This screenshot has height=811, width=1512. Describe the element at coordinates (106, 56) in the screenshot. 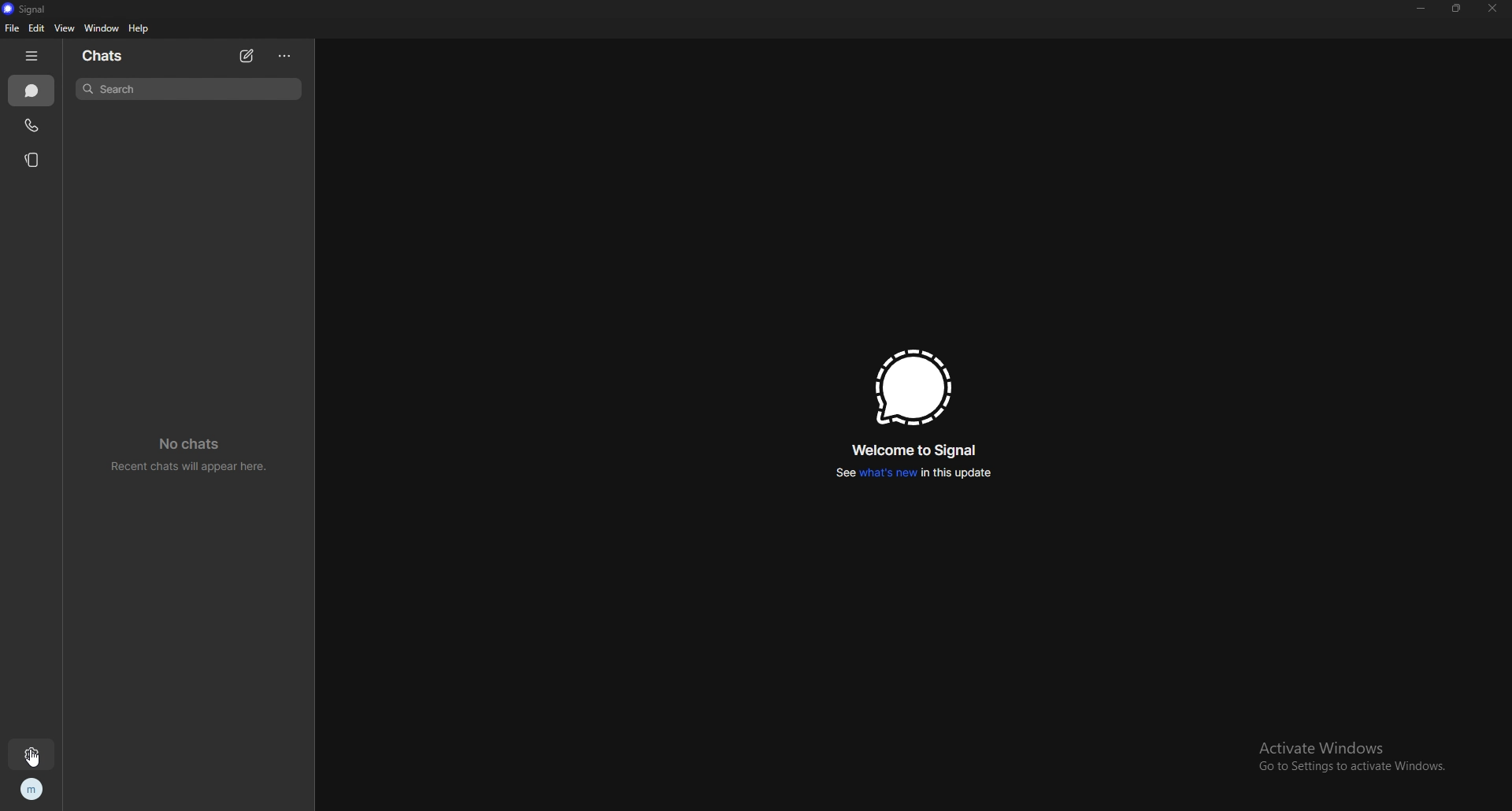

I see `chats` at that location.